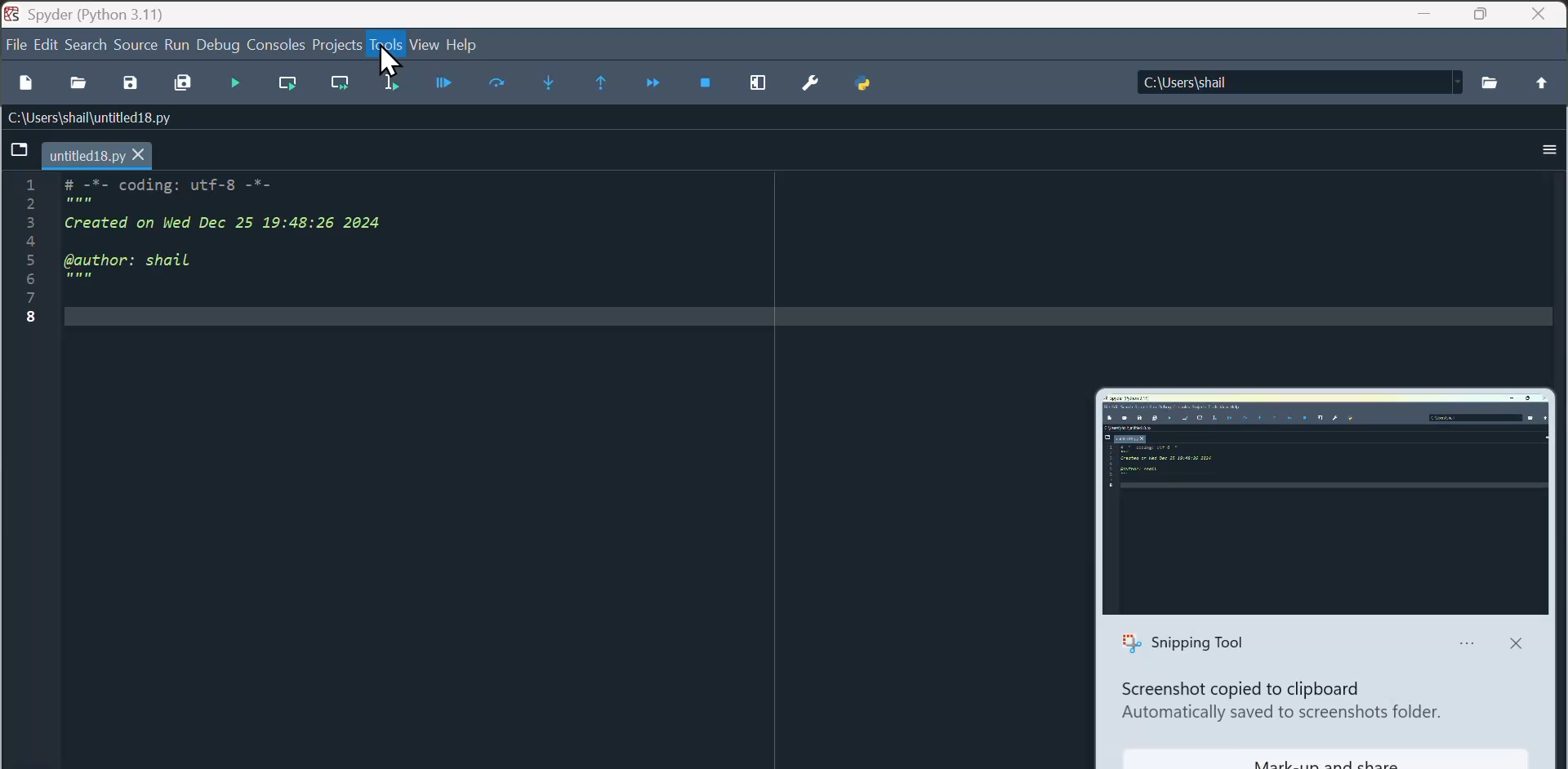  What do you see at coordinates (335, 46) in the screenshot?
I see `Project` at bounding box center [335, 46].